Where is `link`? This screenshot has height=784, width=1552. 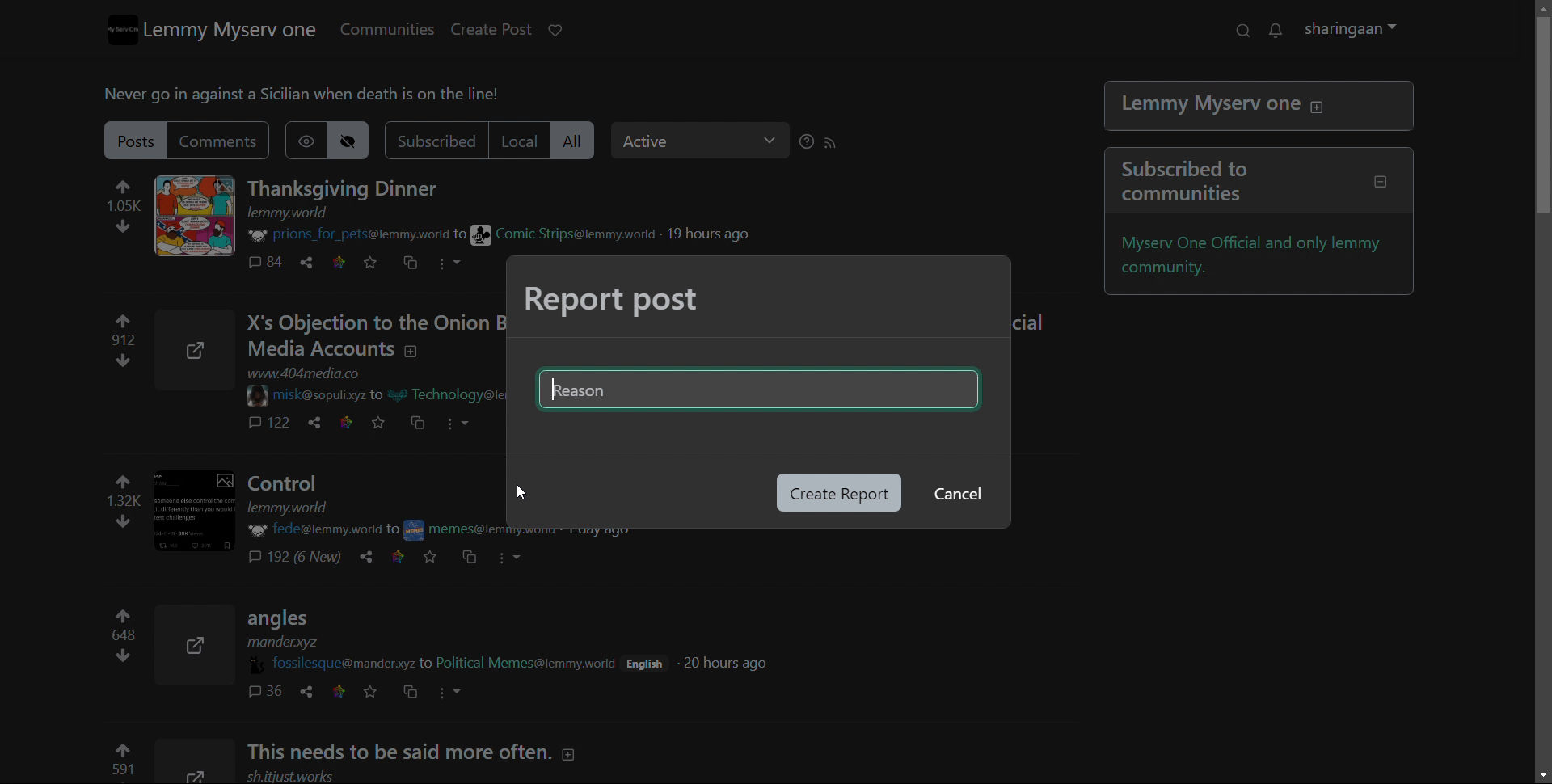
link is located at coordinates (351, 424).